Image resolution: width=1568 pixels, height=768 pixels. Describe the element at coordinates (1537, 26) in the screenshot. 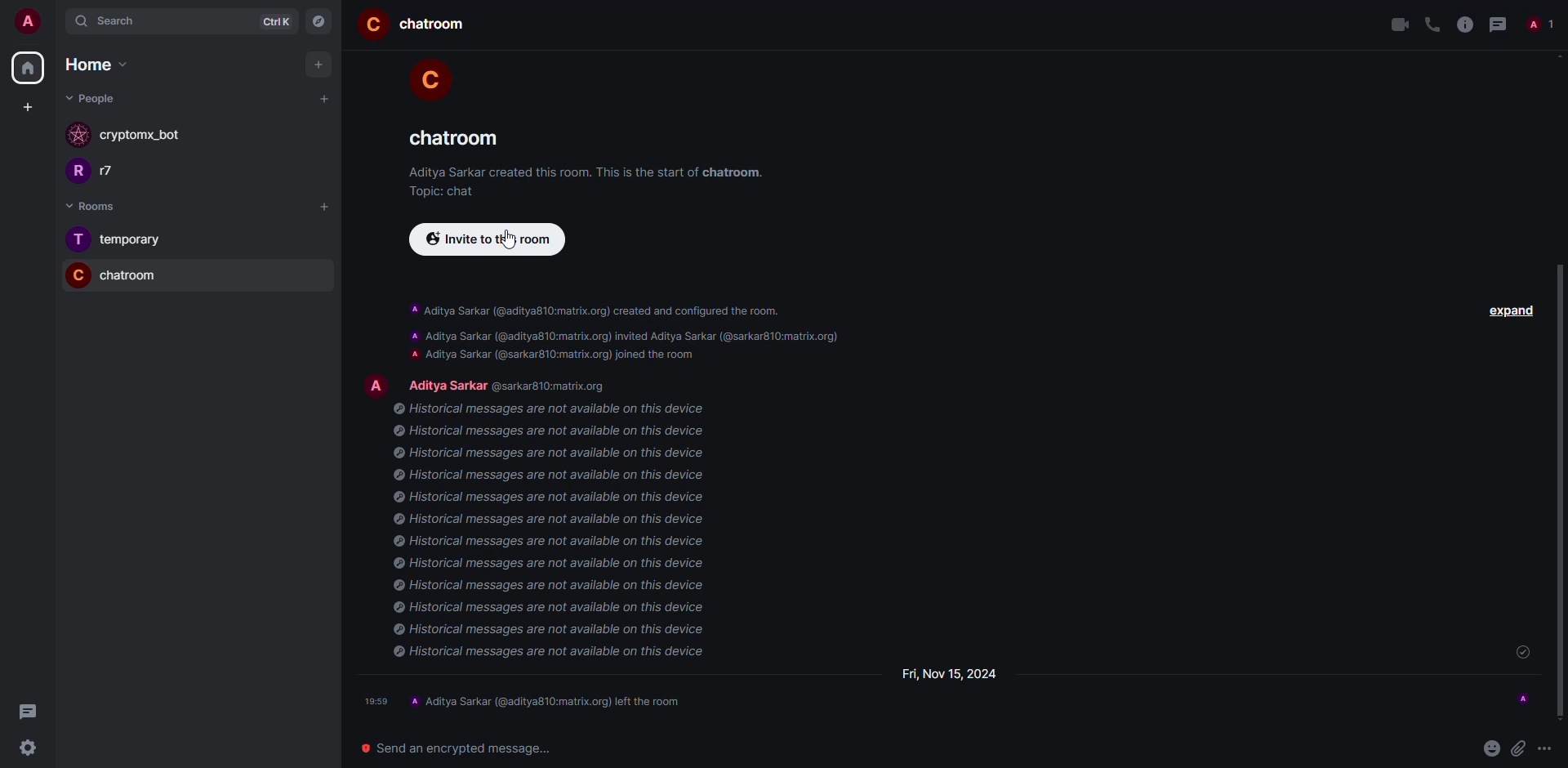

I see `people` at that location.